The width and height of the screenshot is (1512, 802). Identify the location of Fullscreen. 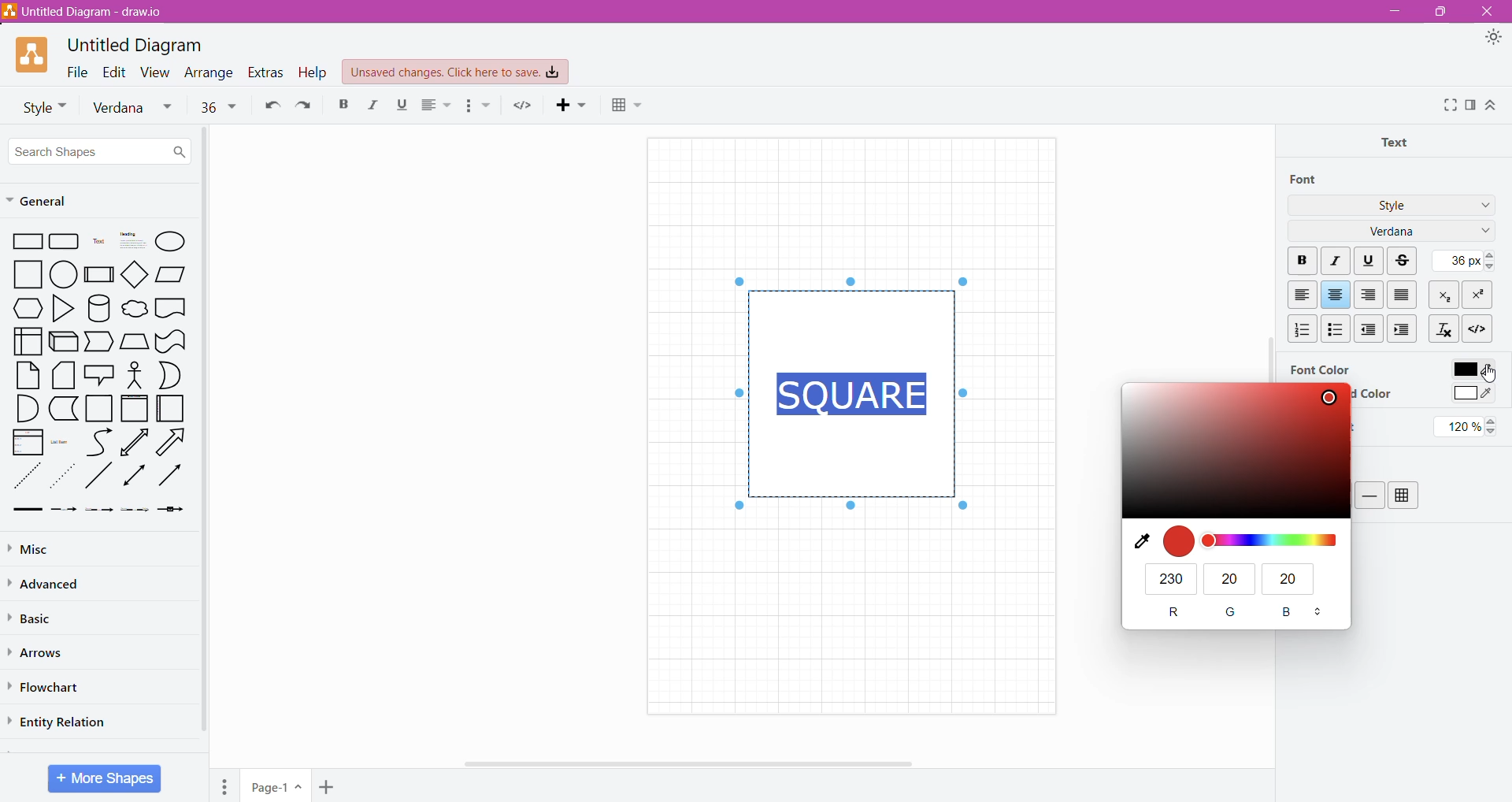
(1449, 106).